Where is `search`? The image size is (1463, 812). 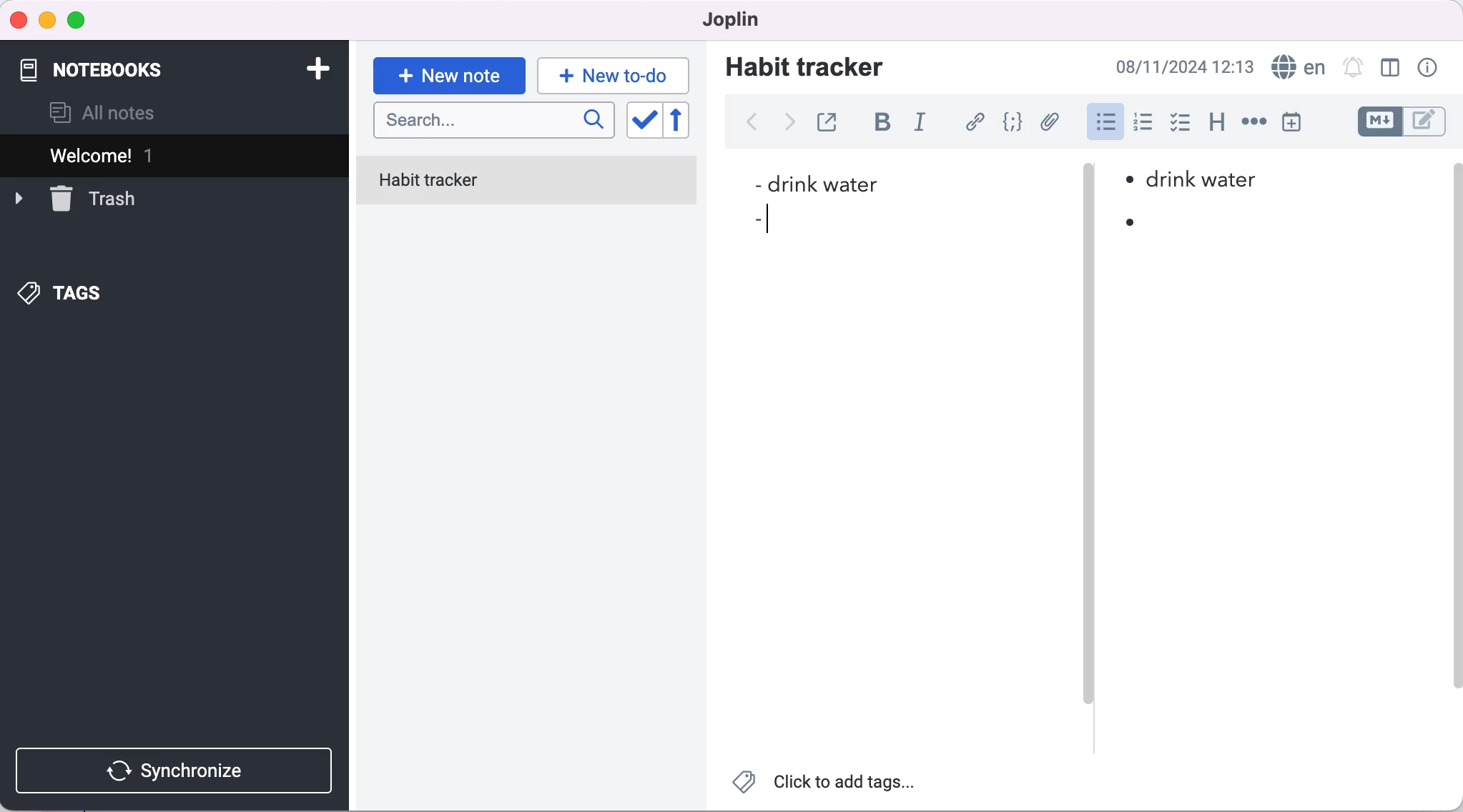
search is located at coordinates (494, 122).